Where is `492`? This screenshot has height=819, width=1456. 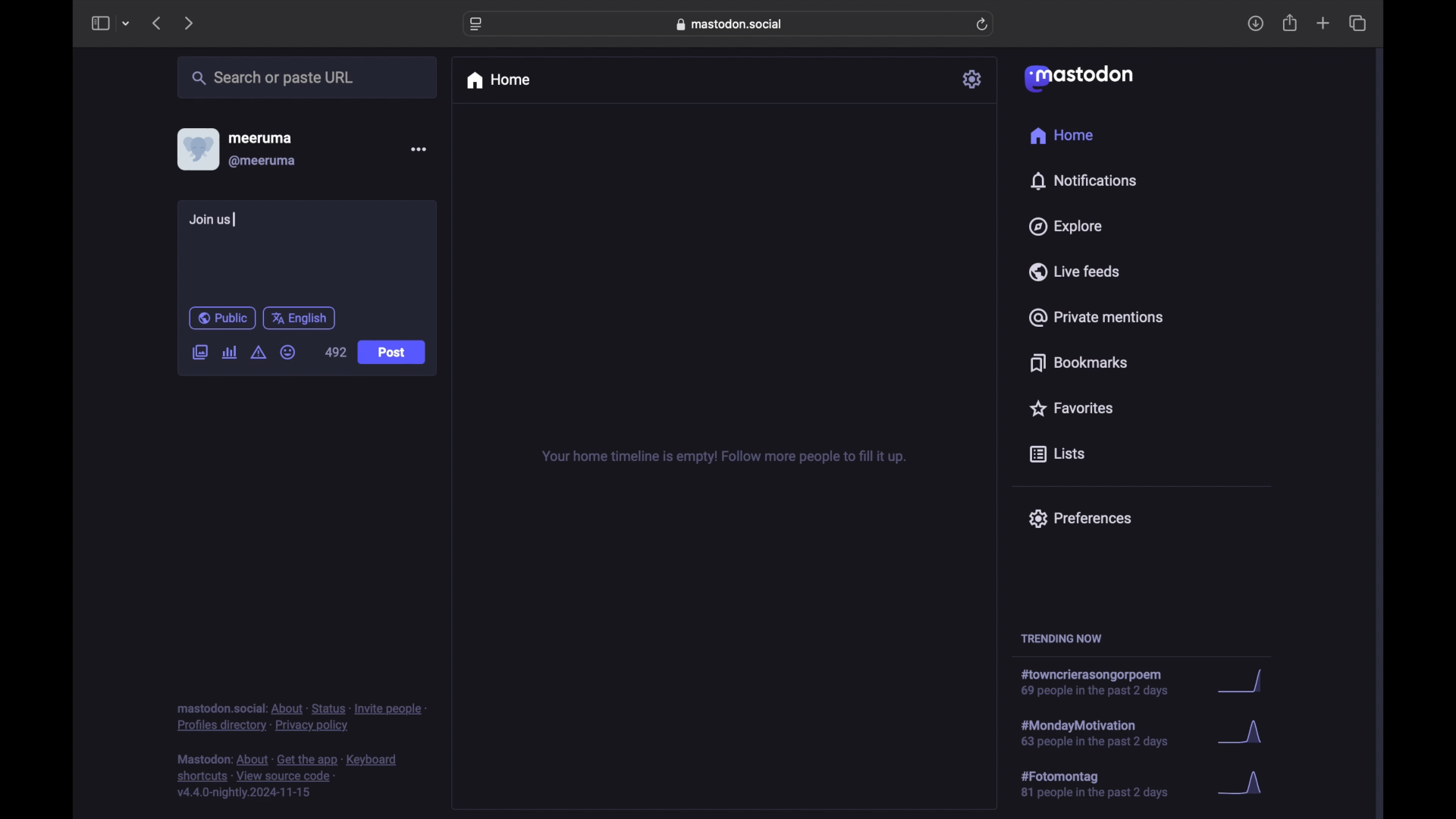 492 is located at coordinates (335, 353).